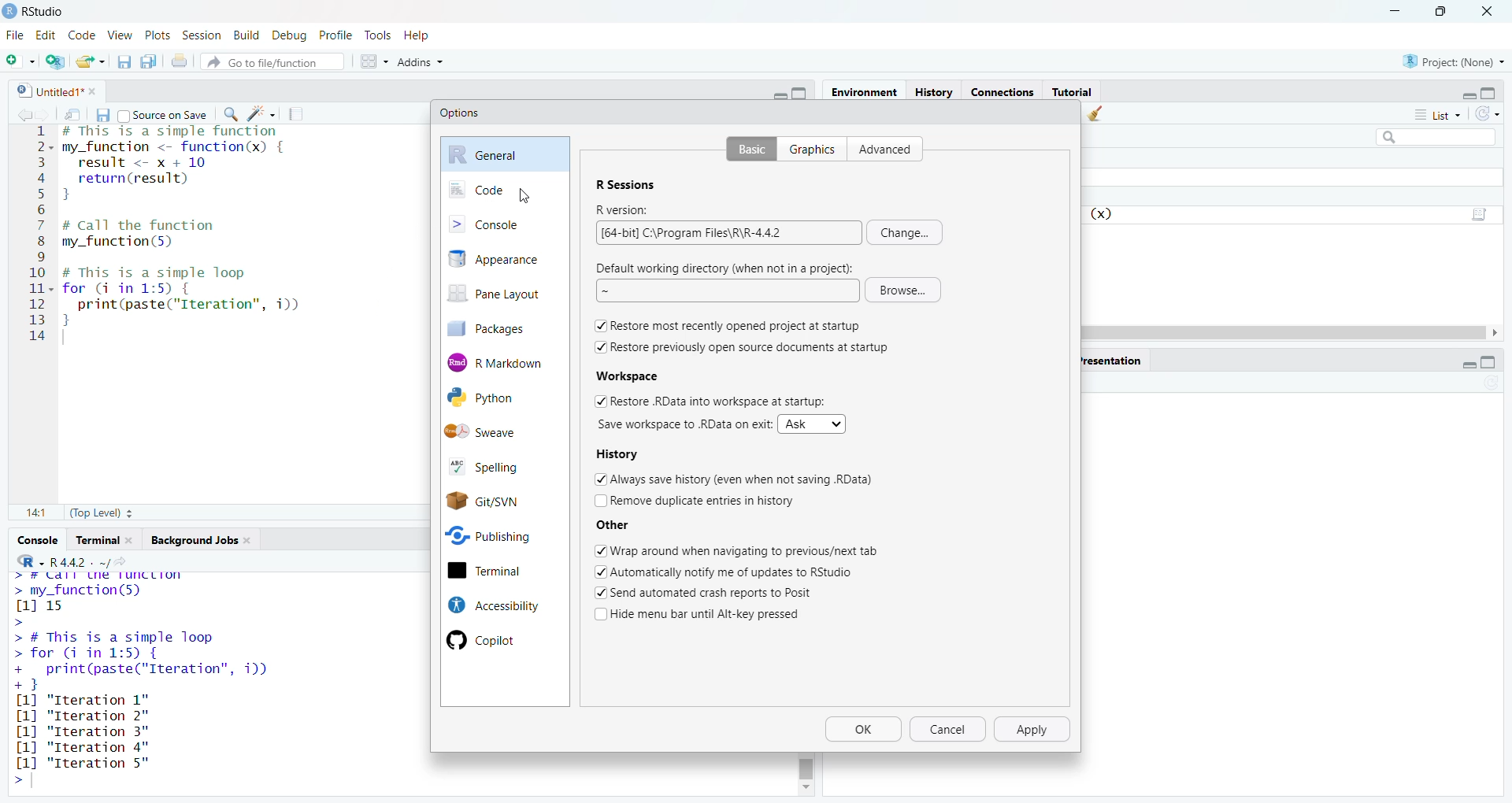  Describe the element at coordinates (702, 614) in the screenshot. I see `Hide menu bar until Alt-key pressed` at that location.